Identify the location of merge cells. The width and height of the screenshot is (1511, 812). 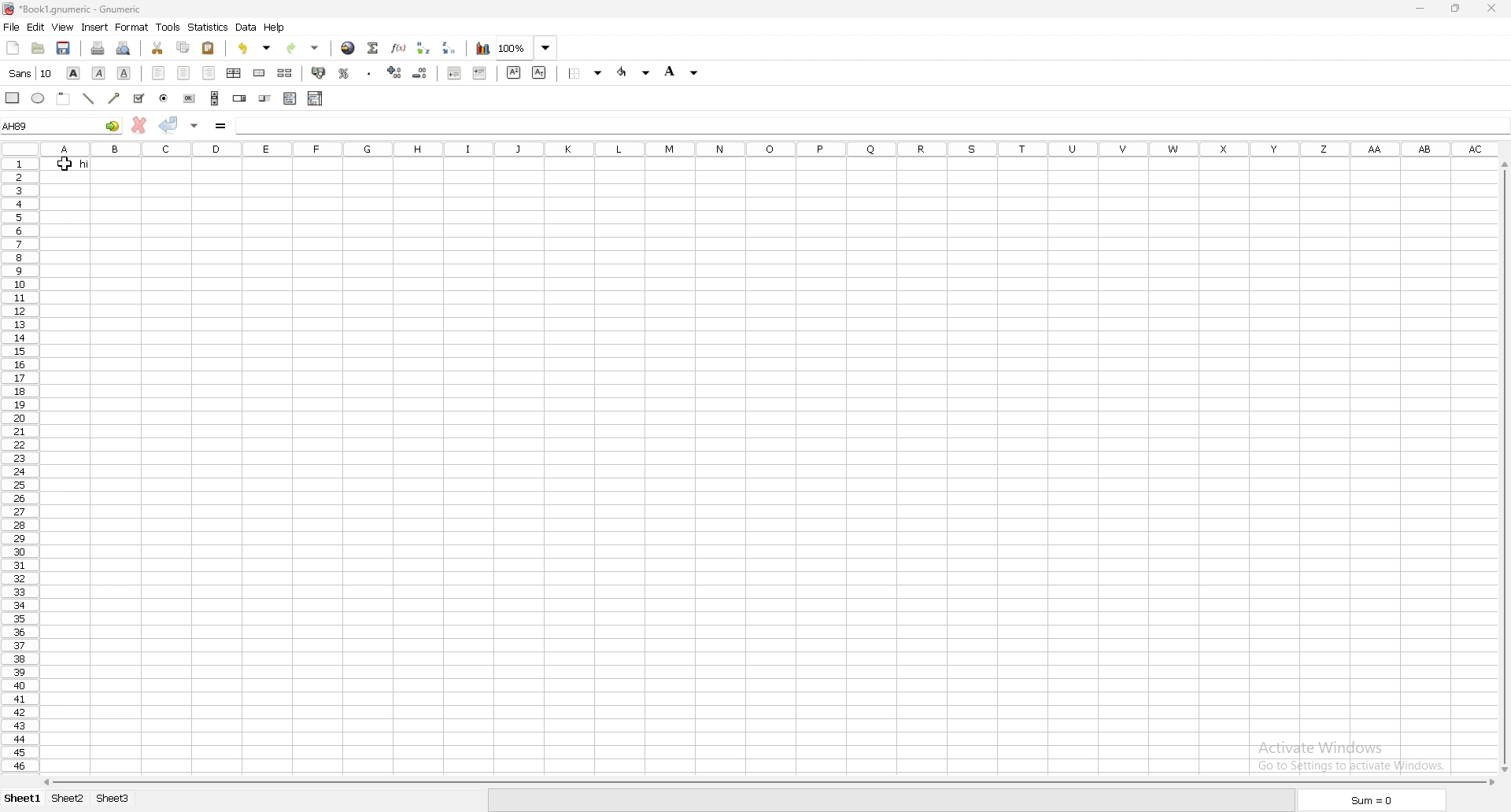
(259, 73).